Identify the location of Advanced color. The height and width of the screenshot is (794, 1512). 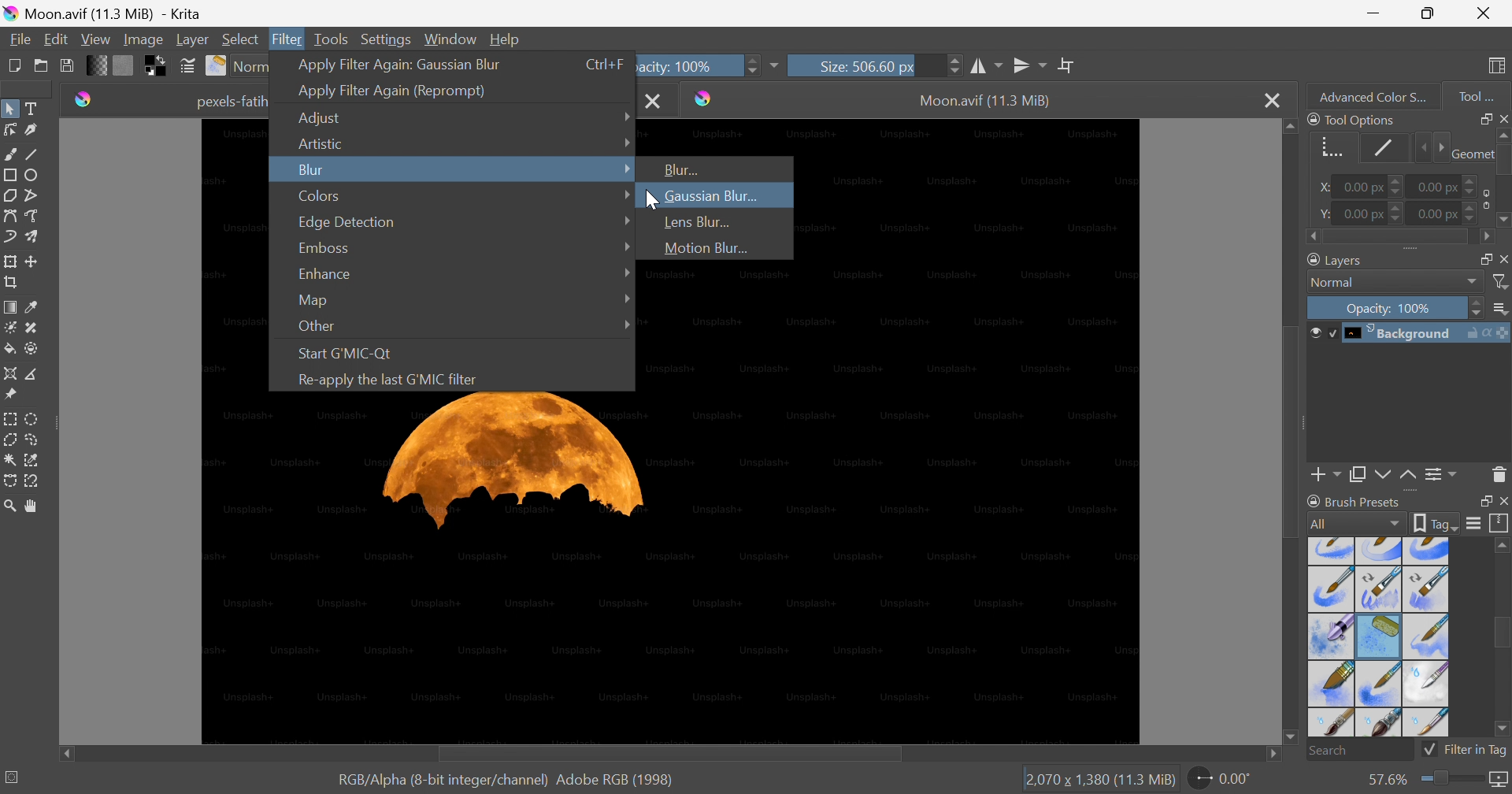
(1379, 95).